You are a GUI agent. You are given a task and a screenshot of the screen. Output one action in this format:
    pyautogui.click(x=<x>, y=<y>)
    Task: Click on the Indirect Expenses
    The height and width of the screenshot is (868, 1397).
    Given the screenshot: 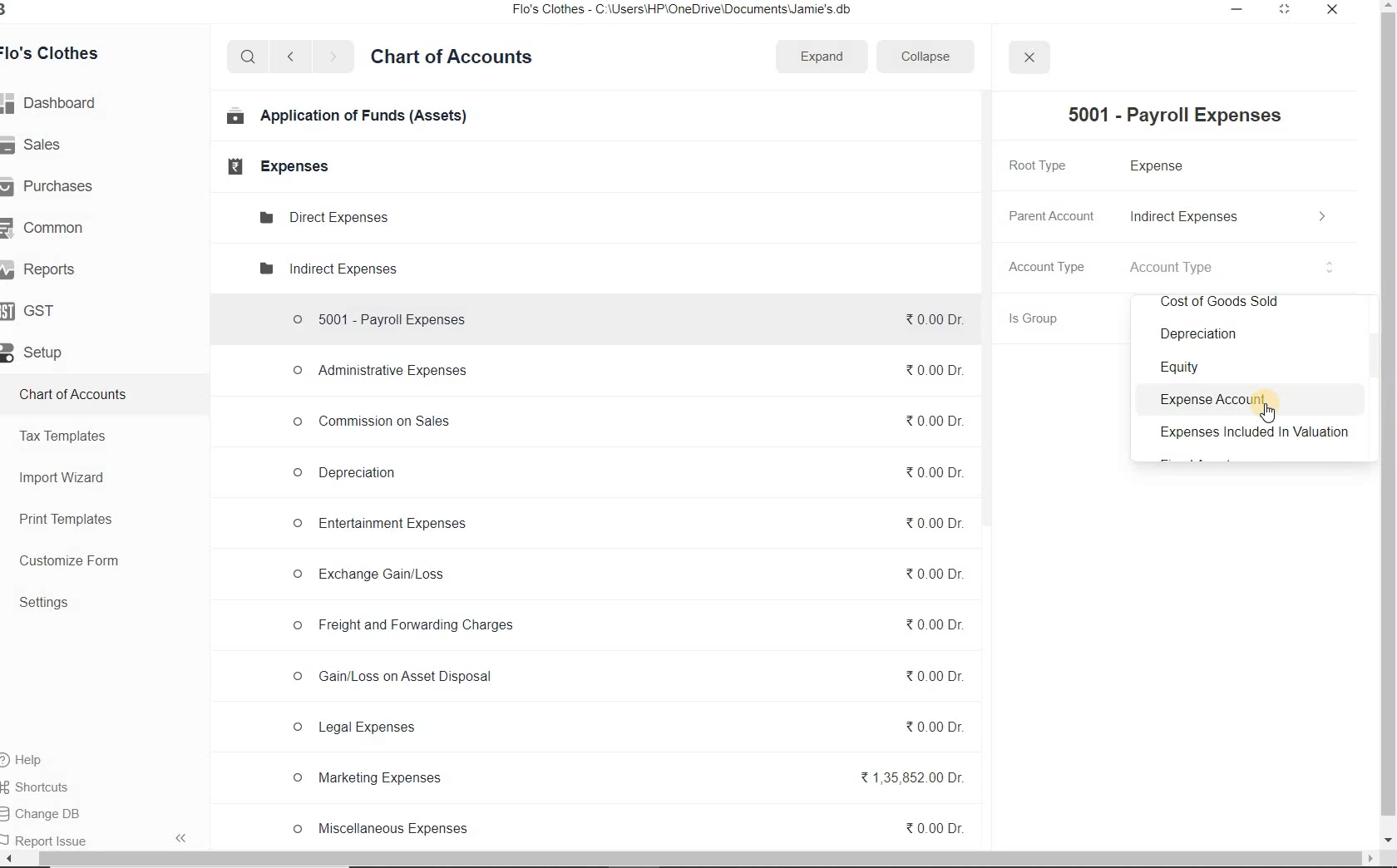 What is the action you would take?
    pyautogui.click(x=1228, y=216)
    